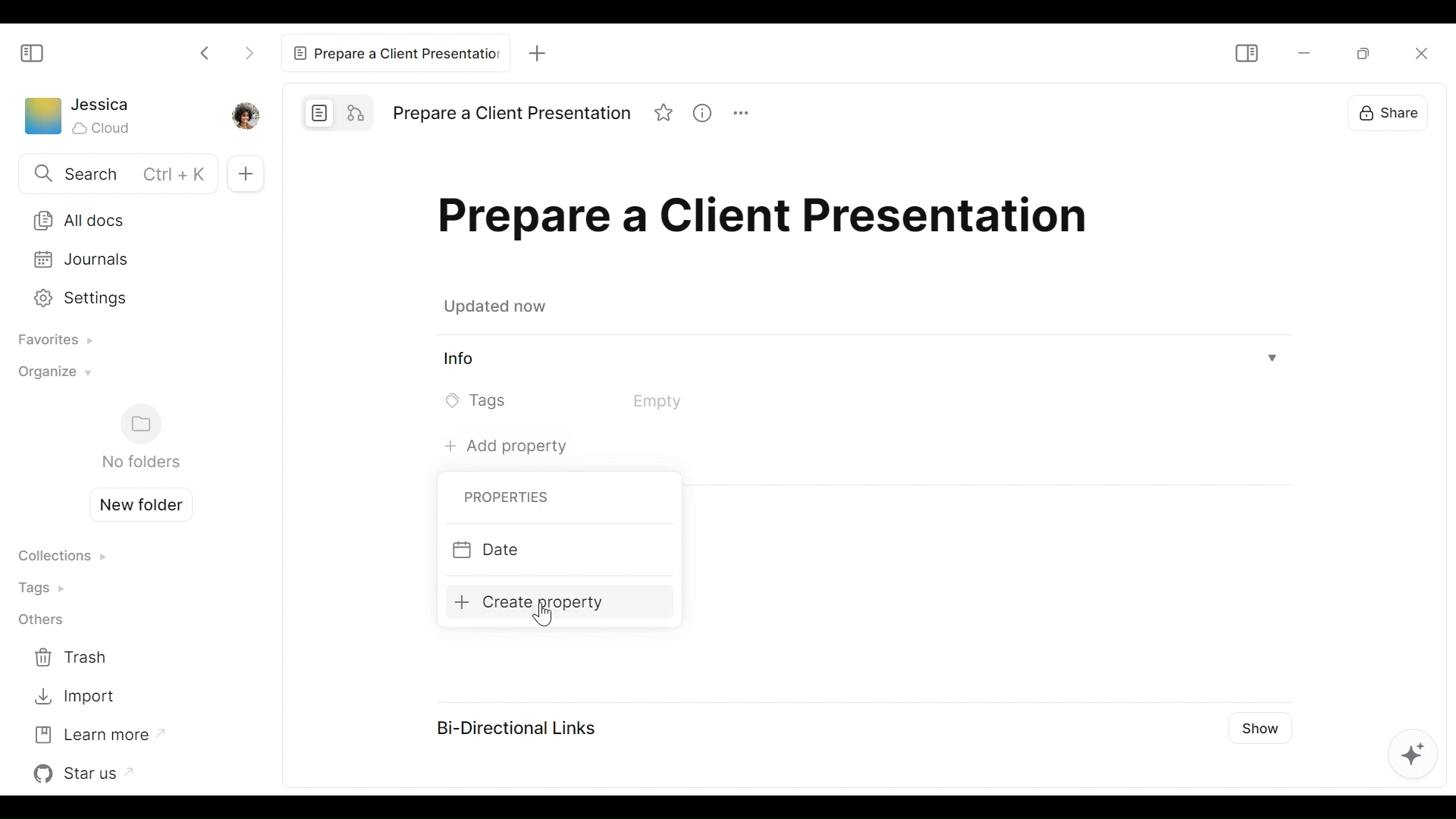 The width and height of the screenshot is (1456, 819). I want to click on Click to go back, so click(206, 52).